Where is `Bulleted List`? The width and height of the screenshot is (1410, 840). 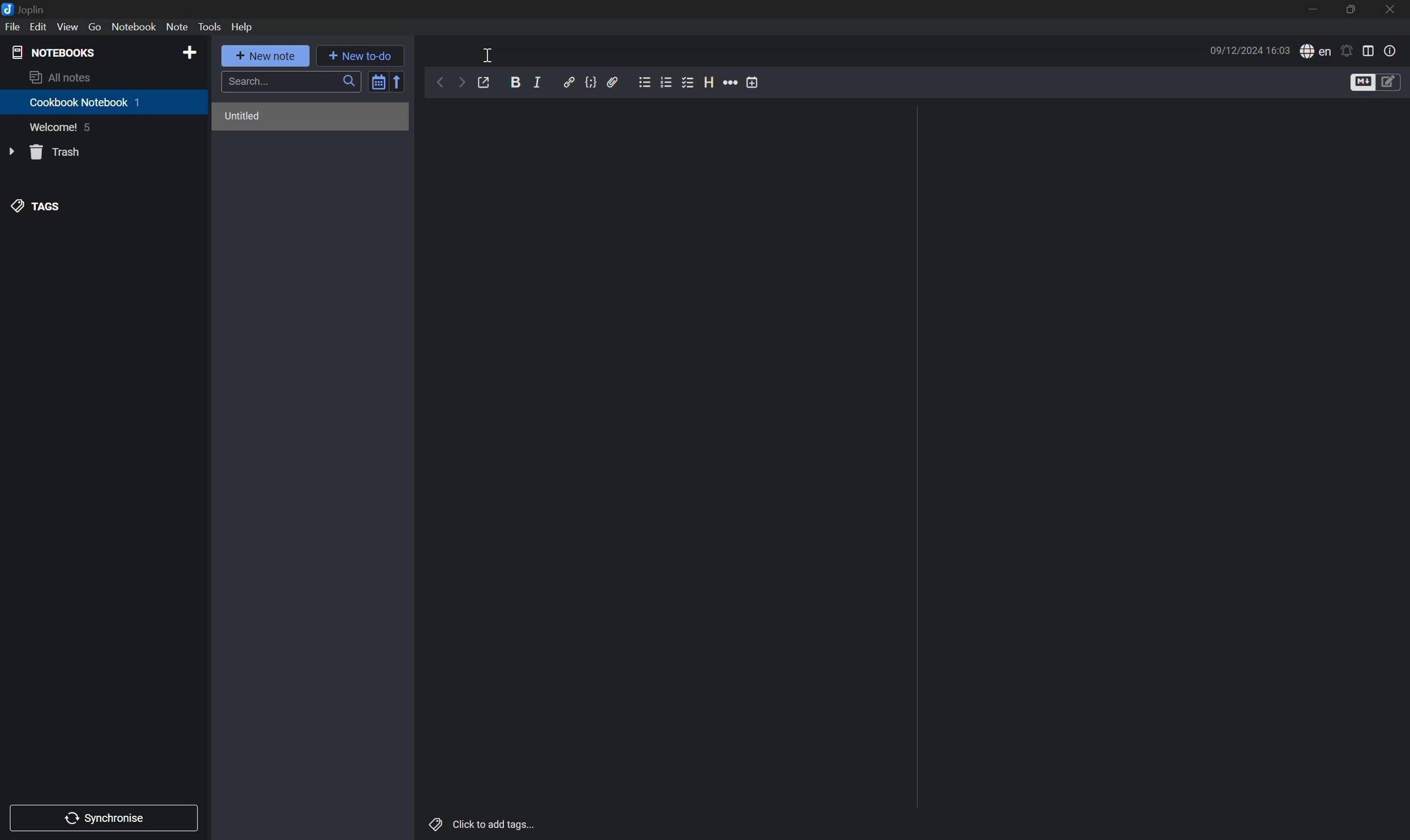 Bulleted List is located at coordinates (643, 83).